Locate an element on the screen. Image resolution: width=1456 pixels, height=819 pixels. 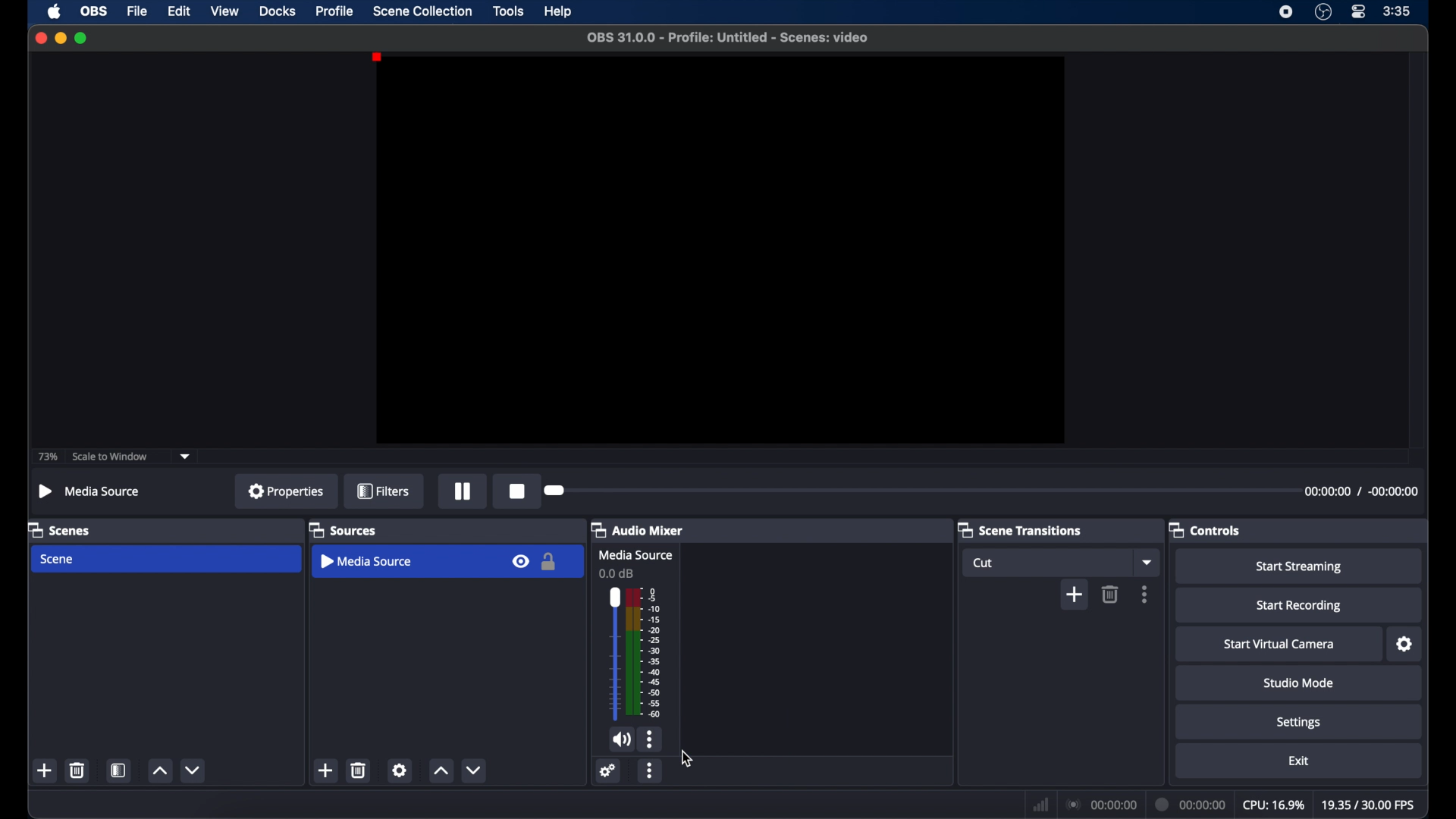
network is located at coordinates (1039, 803).